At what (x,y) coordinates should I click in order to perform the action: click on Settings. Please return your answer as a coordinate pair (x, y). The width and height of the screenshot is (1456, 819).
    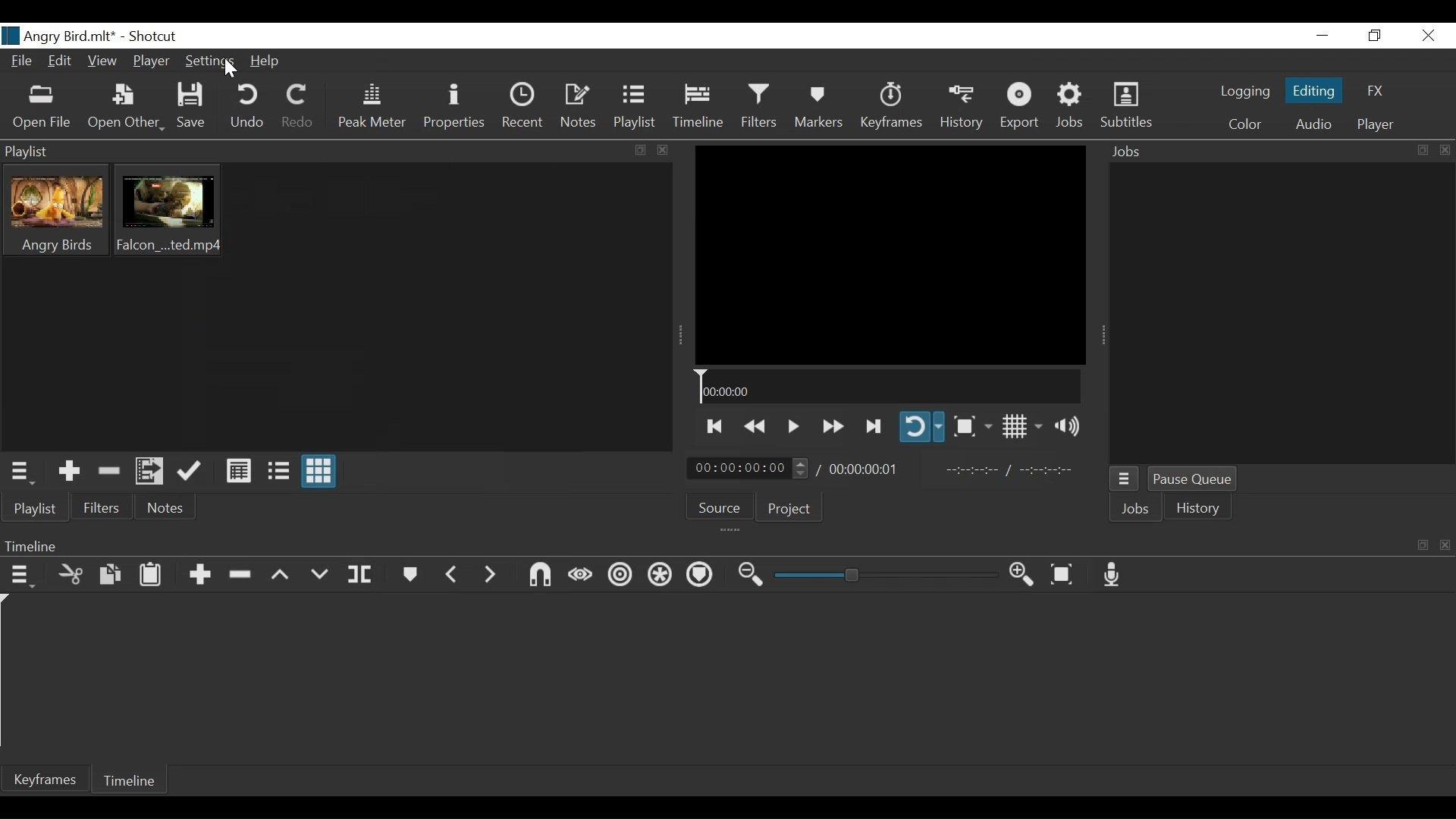
    Looking at the image, I should click on (211, 60).